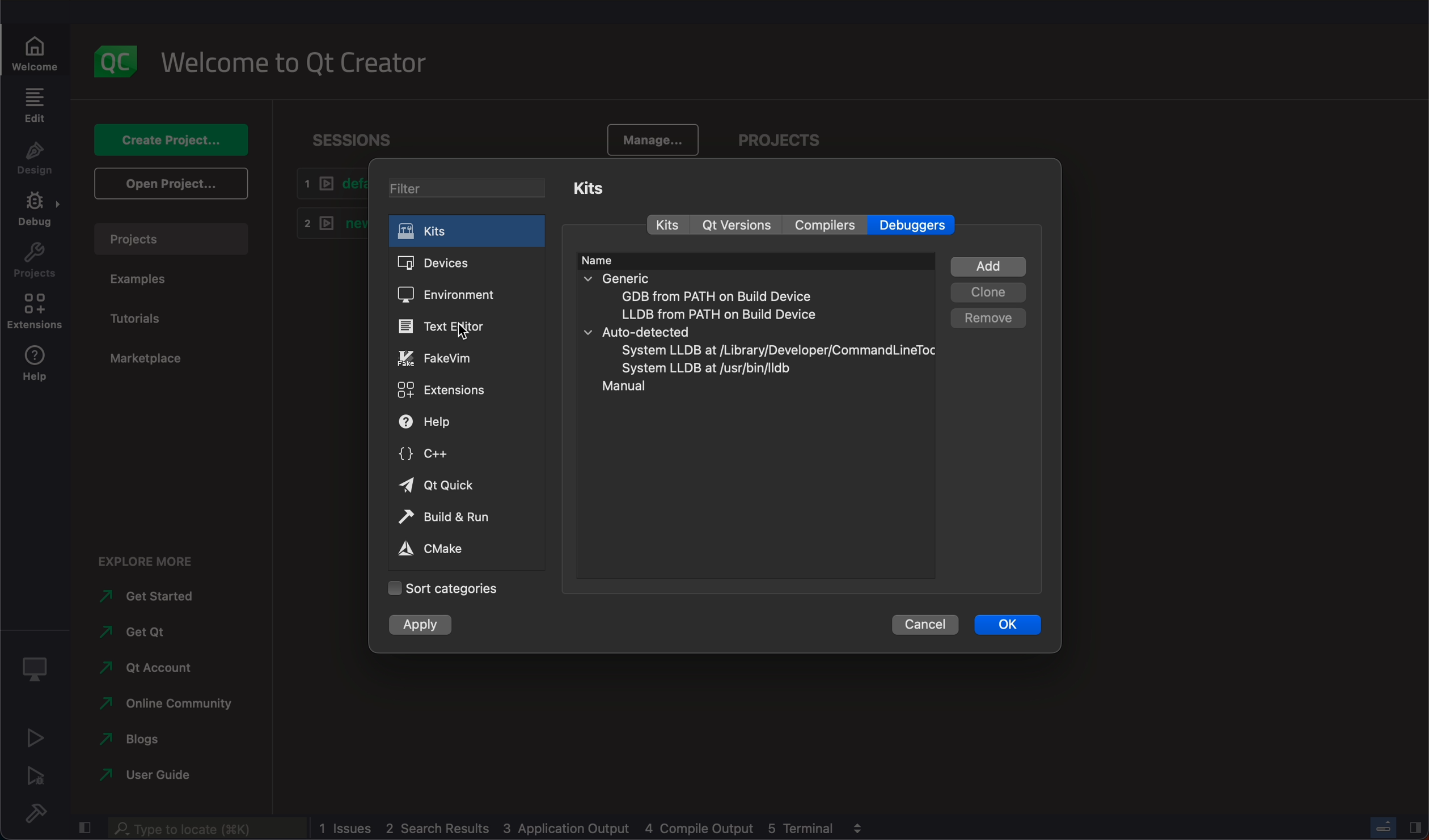  What do you see at coordinates (173, 238) in the screenshot?
I see `project` at bounding box center [173, 238].